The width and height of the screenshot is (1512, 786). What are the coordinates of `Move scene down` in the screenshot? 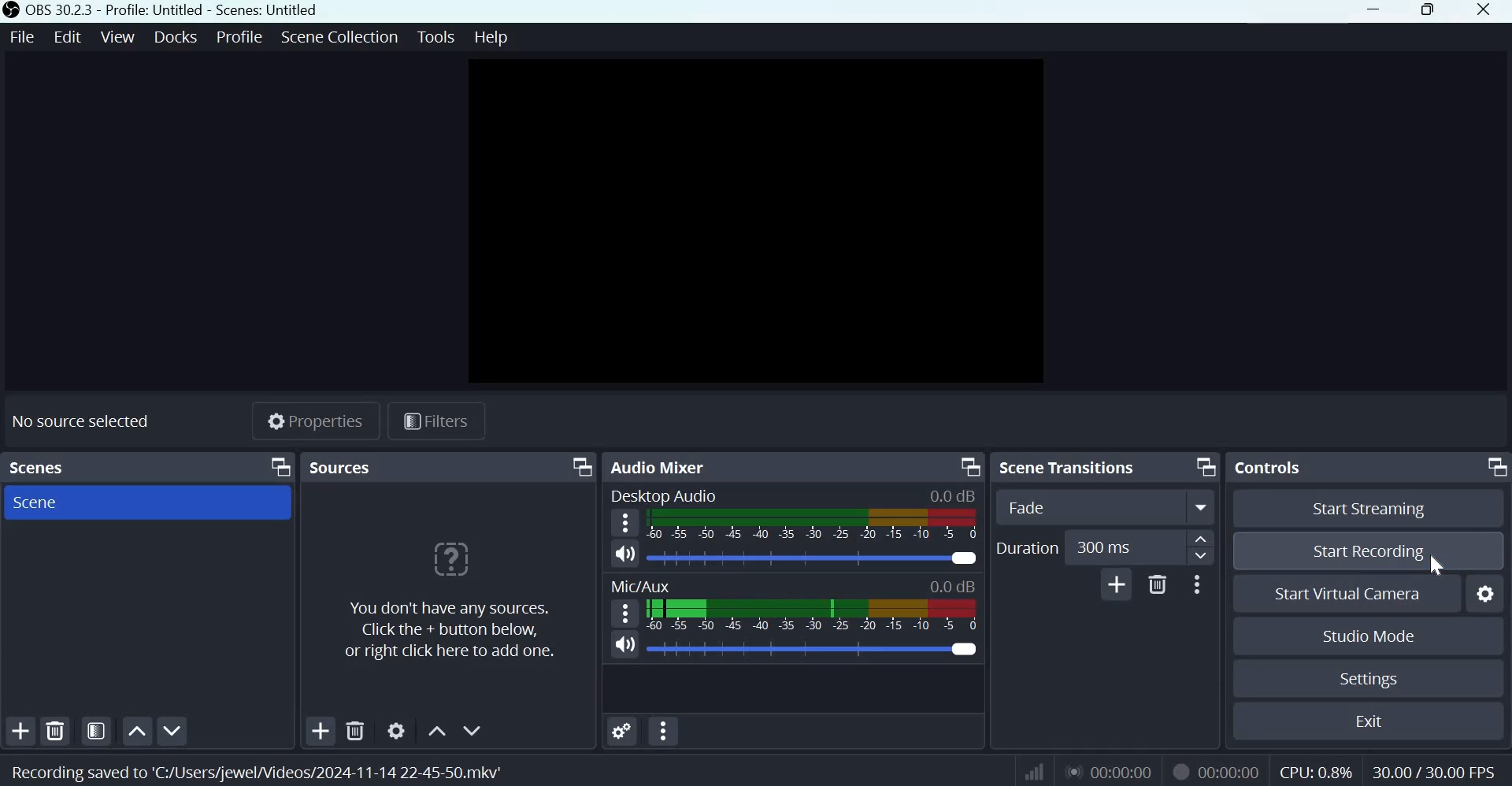 It's located at (172, 732).